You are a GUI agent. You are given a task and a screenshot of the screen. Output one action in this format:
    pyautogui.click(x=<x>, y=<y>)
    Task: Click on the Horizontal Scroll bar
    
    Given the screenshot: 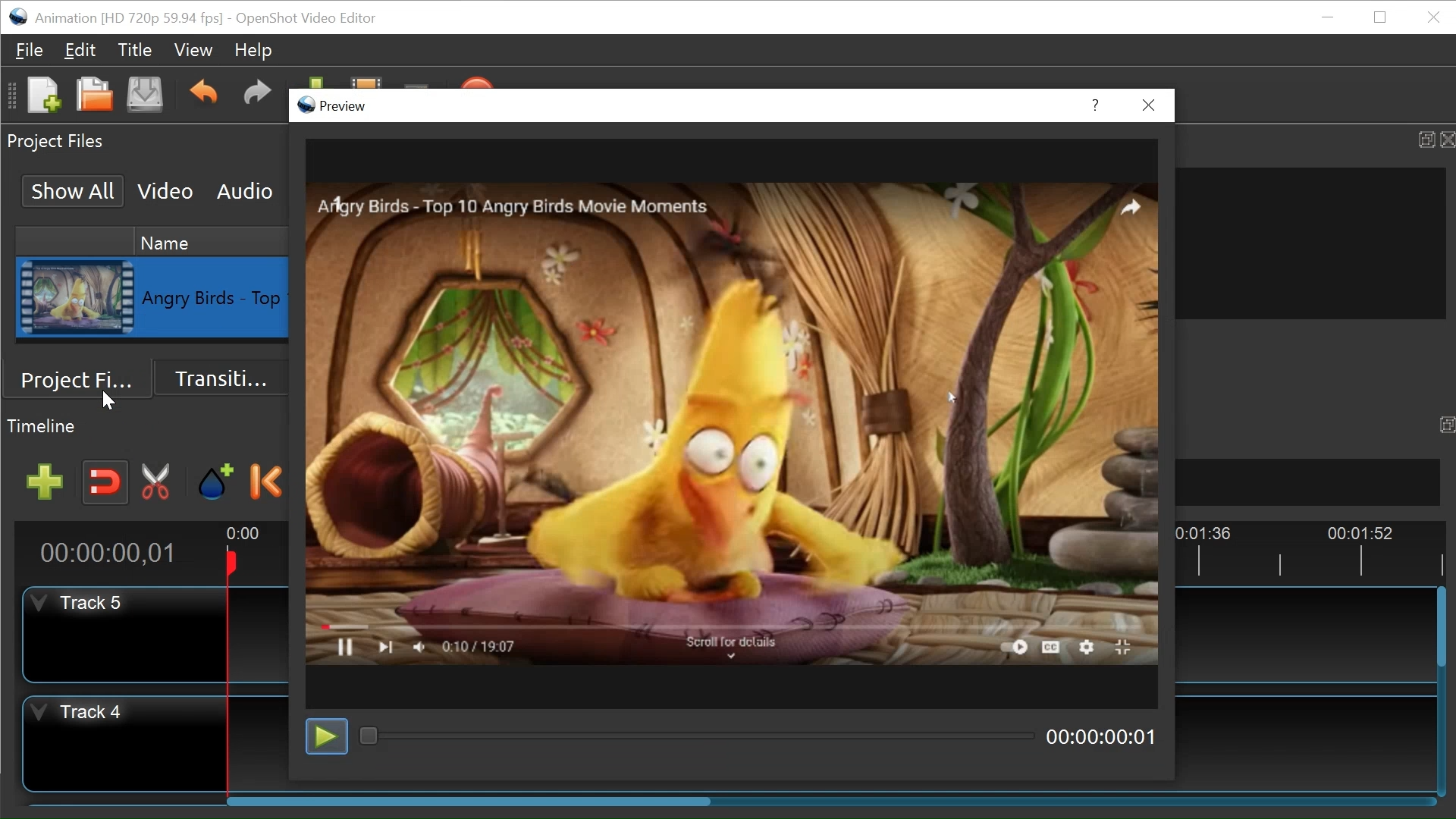 What is the action you would take?
    pyautogui.click(x=475, y=800)
    